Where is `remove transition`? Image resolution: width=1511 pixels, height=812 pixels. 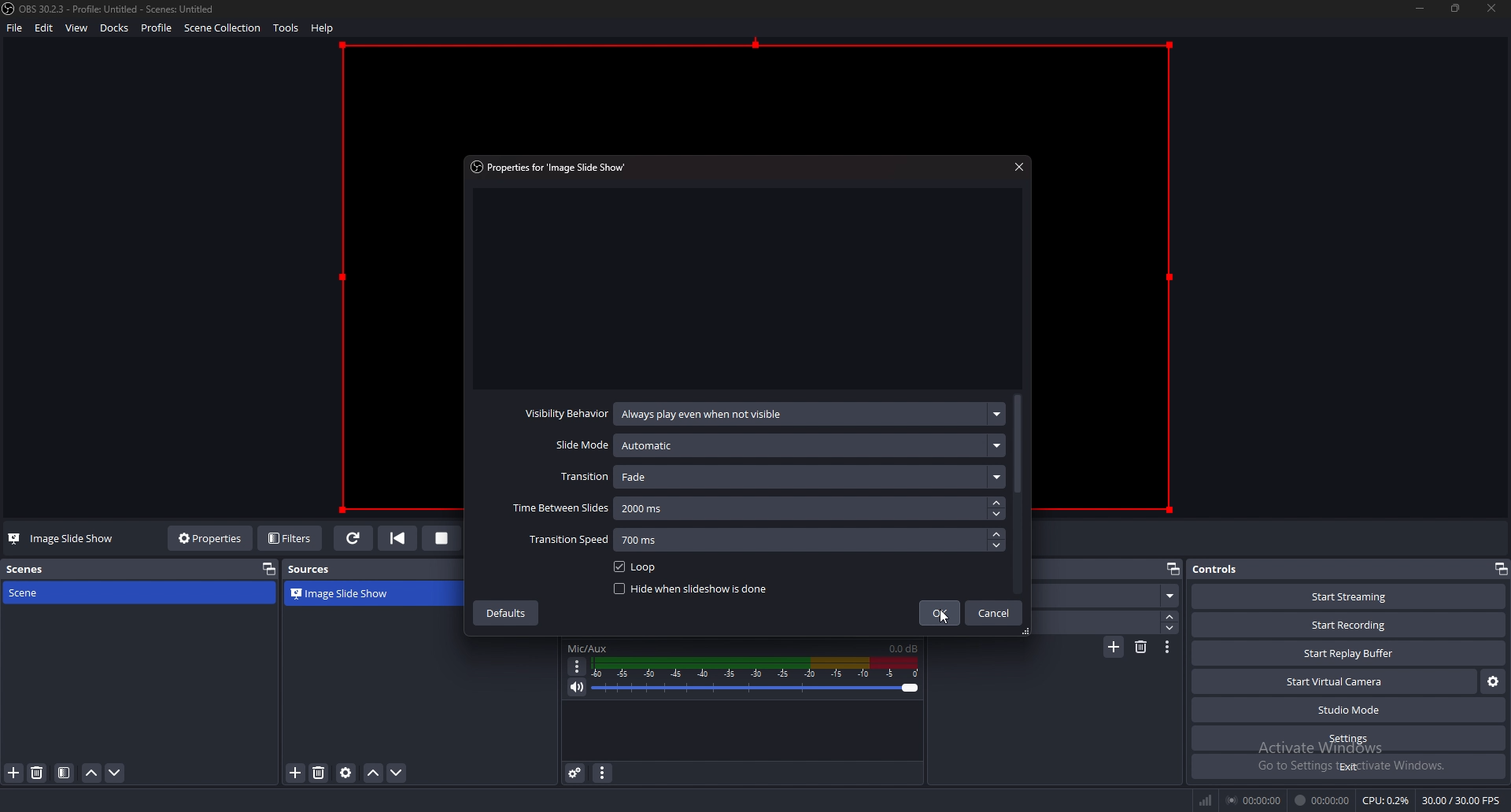 remove transition is located at coordinates (1140, 648).